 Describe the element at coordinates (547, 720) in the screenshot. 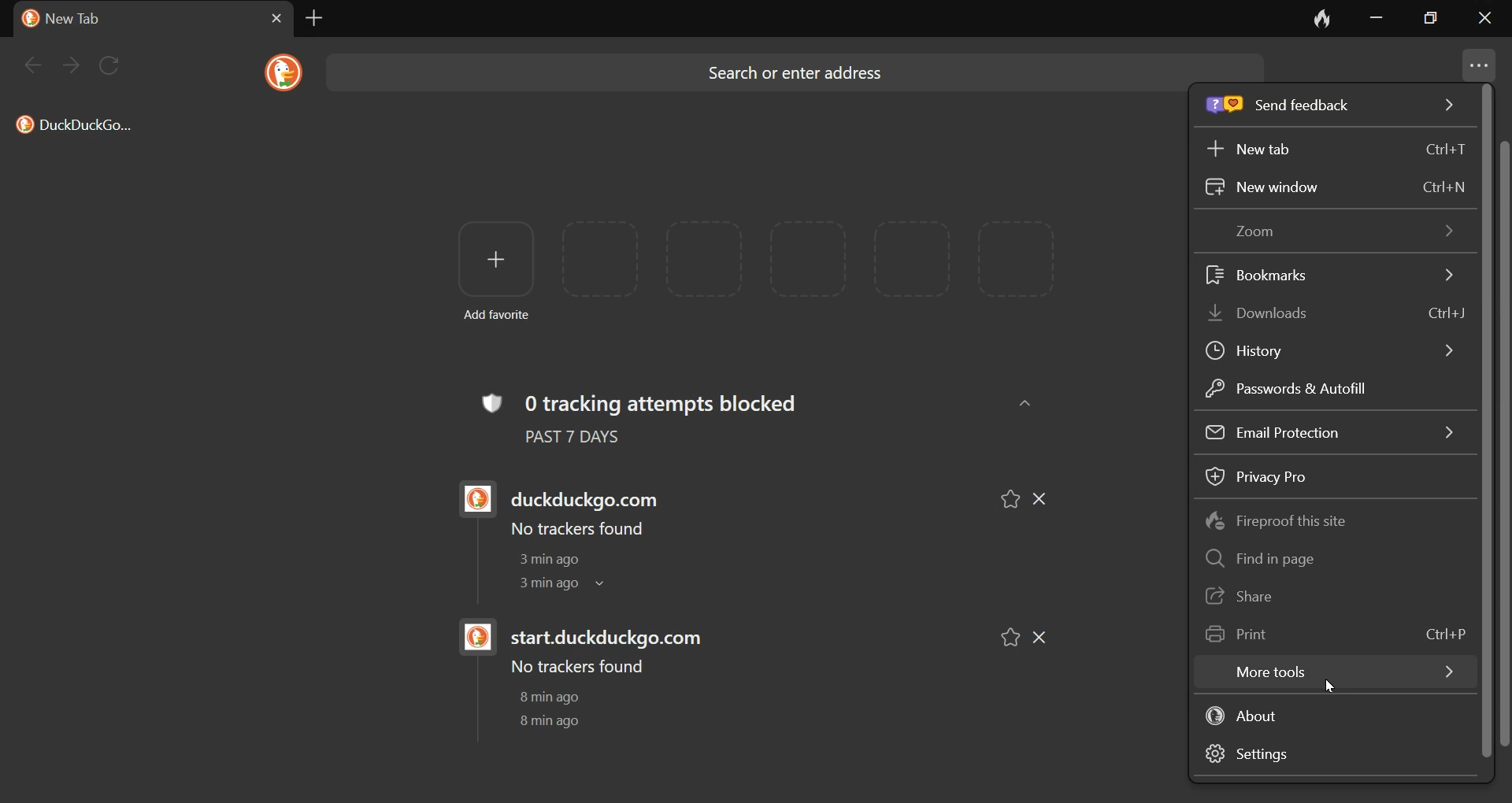

I see `8 min ago` at that location.